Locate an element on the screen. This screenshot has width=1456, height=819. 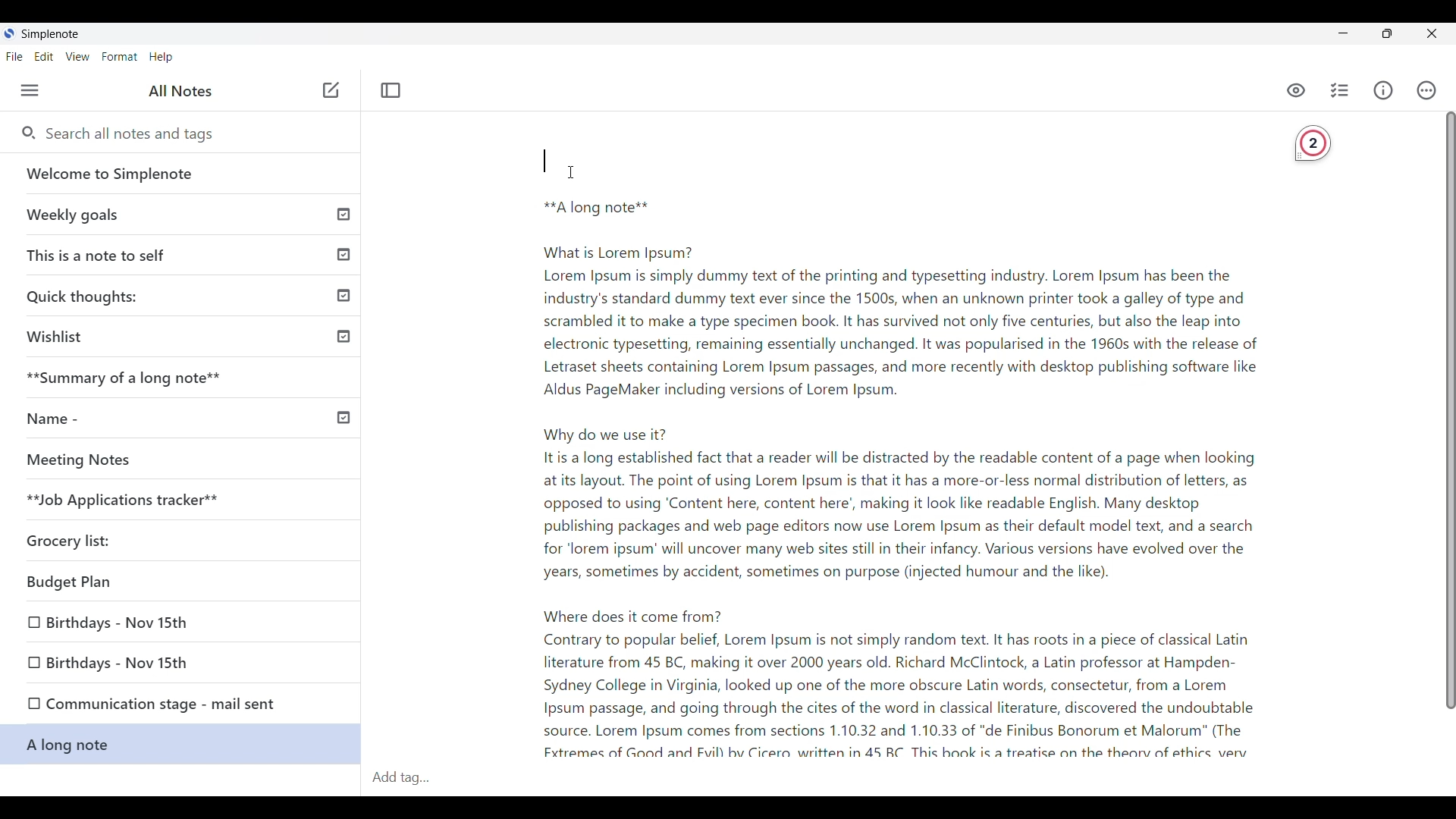
Info is located at coordinates (1383, 90).